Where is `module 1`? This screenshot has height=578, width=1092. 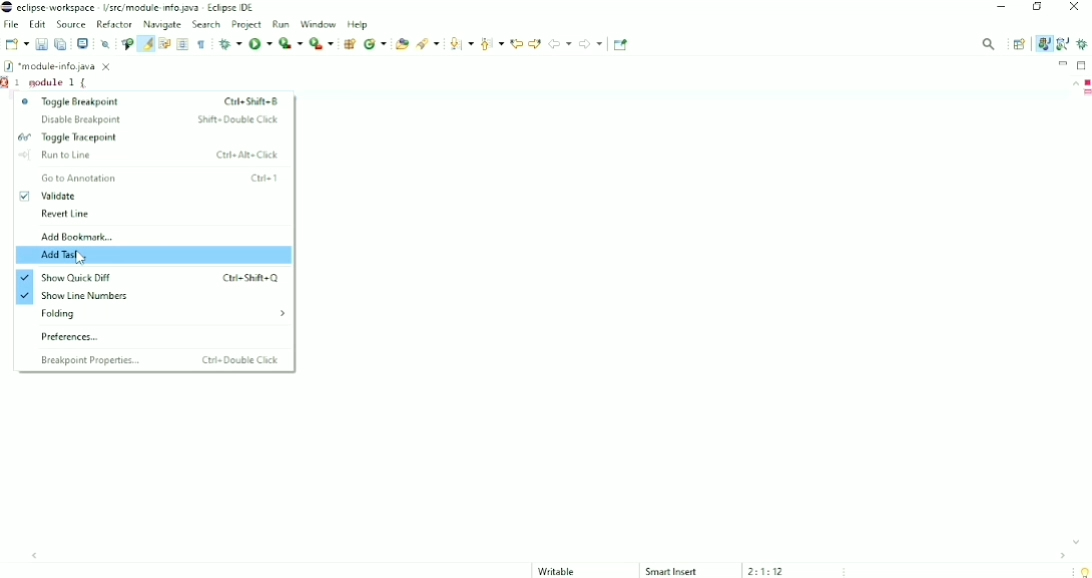 module 1 is located at coordinates (60, 82).